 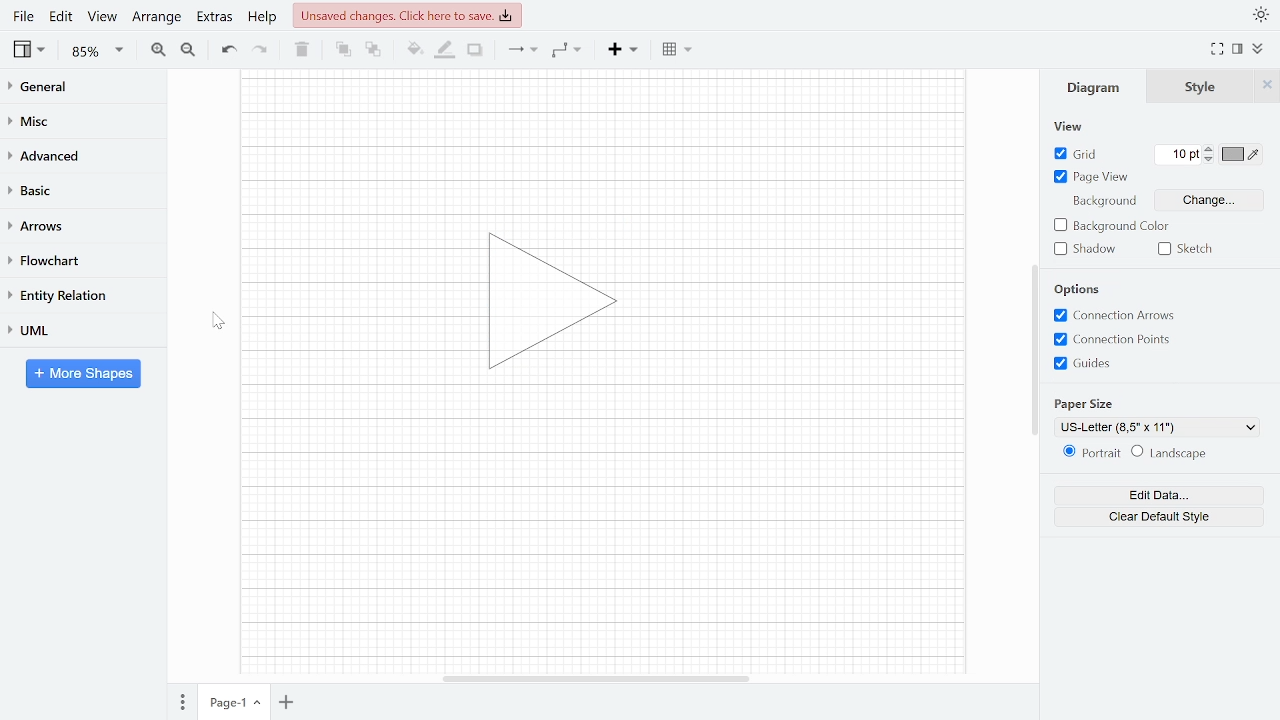 I want to click on Change, so click(x=1222, y=201).